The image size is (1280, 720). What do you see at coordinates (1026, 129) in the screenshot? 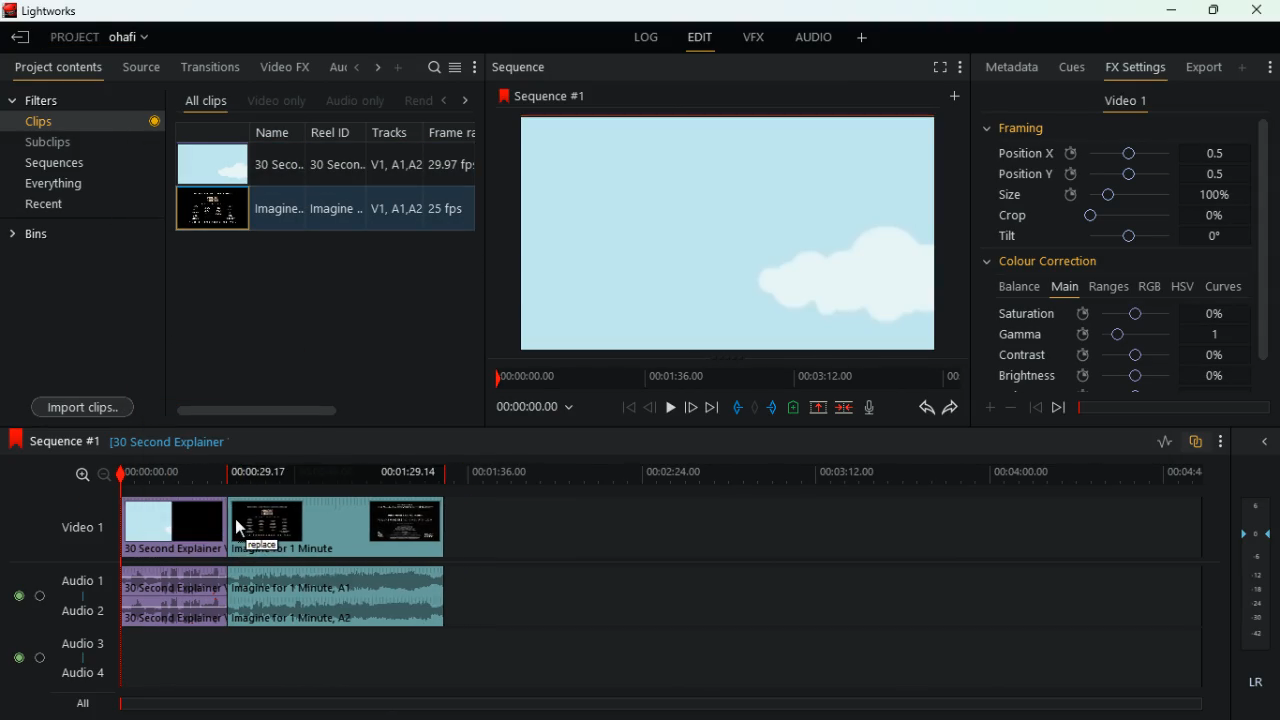
I see `framing` at bounding box center [1026, 129].